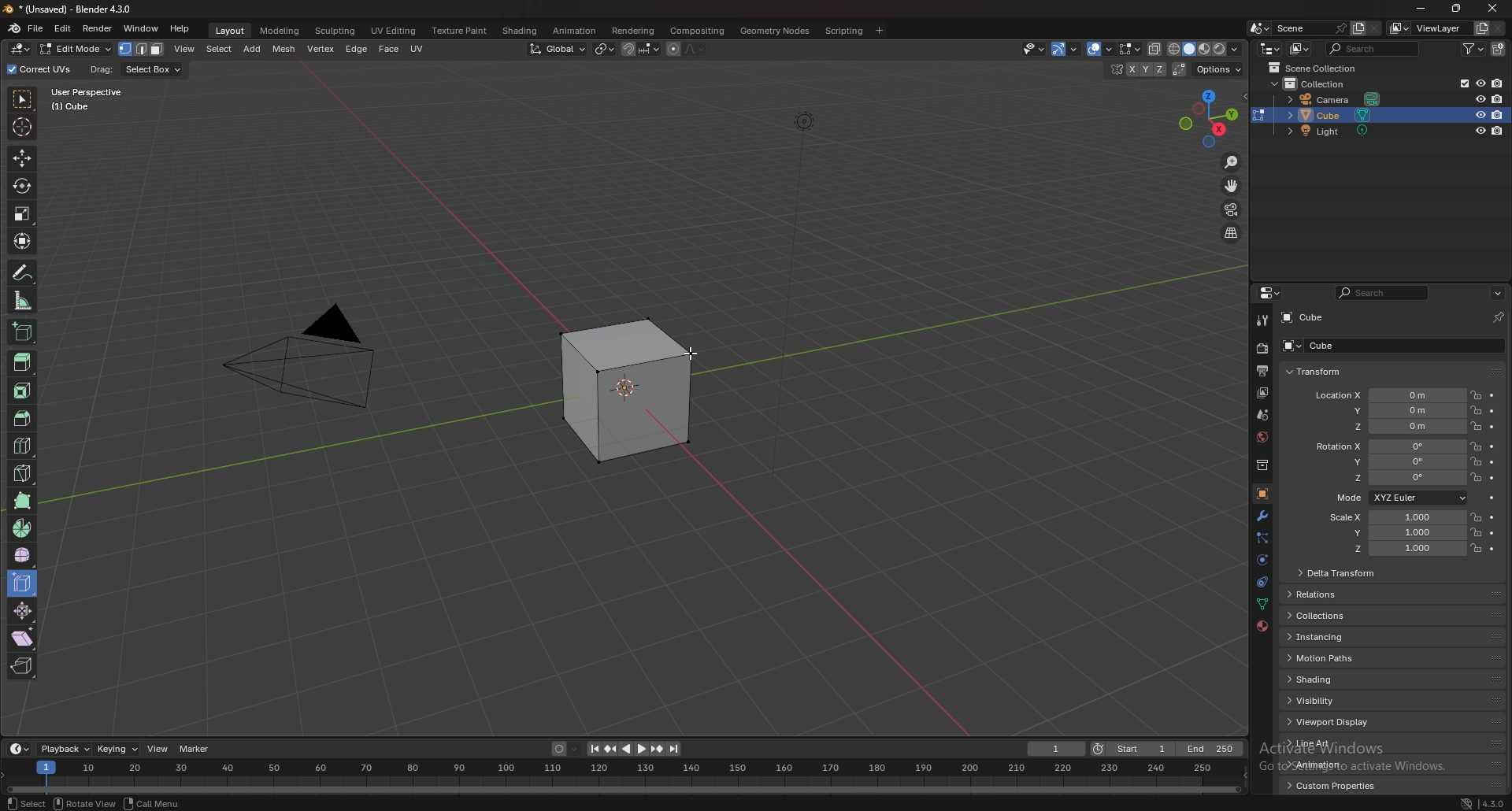  I want to click on delta transform, so click(1338, 573).